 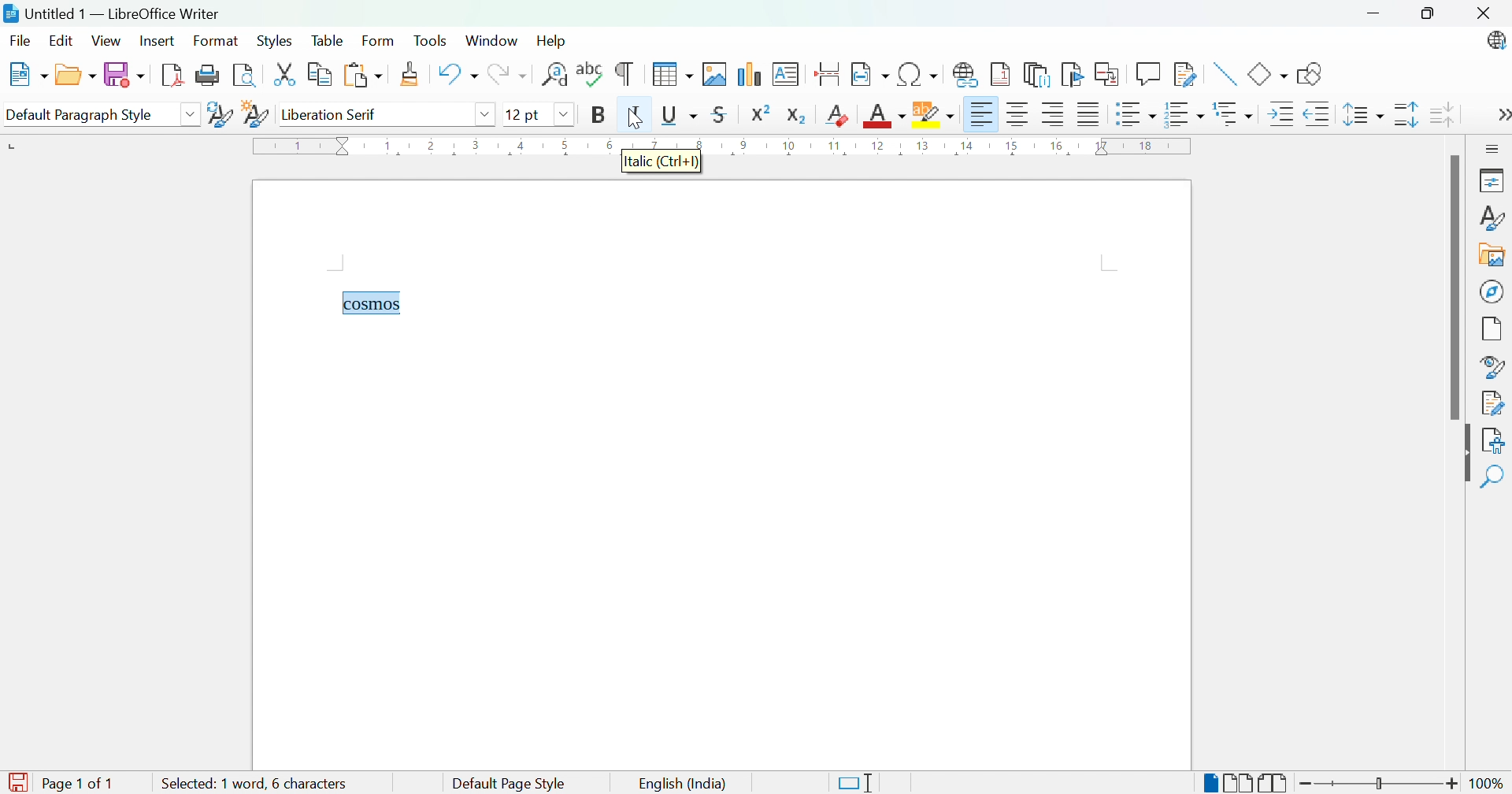 What do you see at coordinates (1495, 477) in the screenshot?
I see `Find` at bounding box center [1495, 477].